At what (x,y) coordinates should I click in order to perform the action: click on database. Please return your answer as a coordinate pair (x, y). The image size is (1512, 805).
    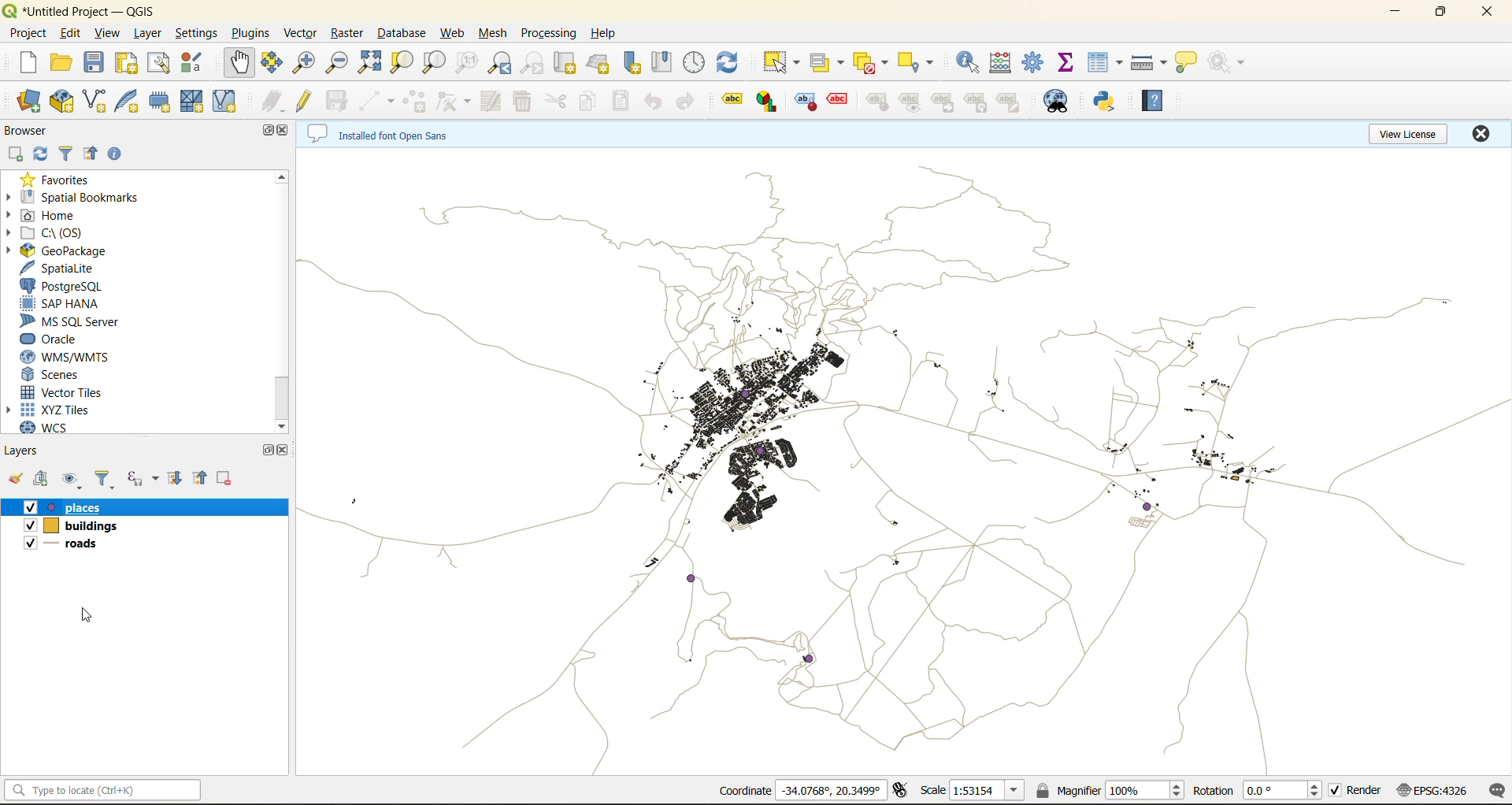
    Looking at the image, I should click on (406, 35).